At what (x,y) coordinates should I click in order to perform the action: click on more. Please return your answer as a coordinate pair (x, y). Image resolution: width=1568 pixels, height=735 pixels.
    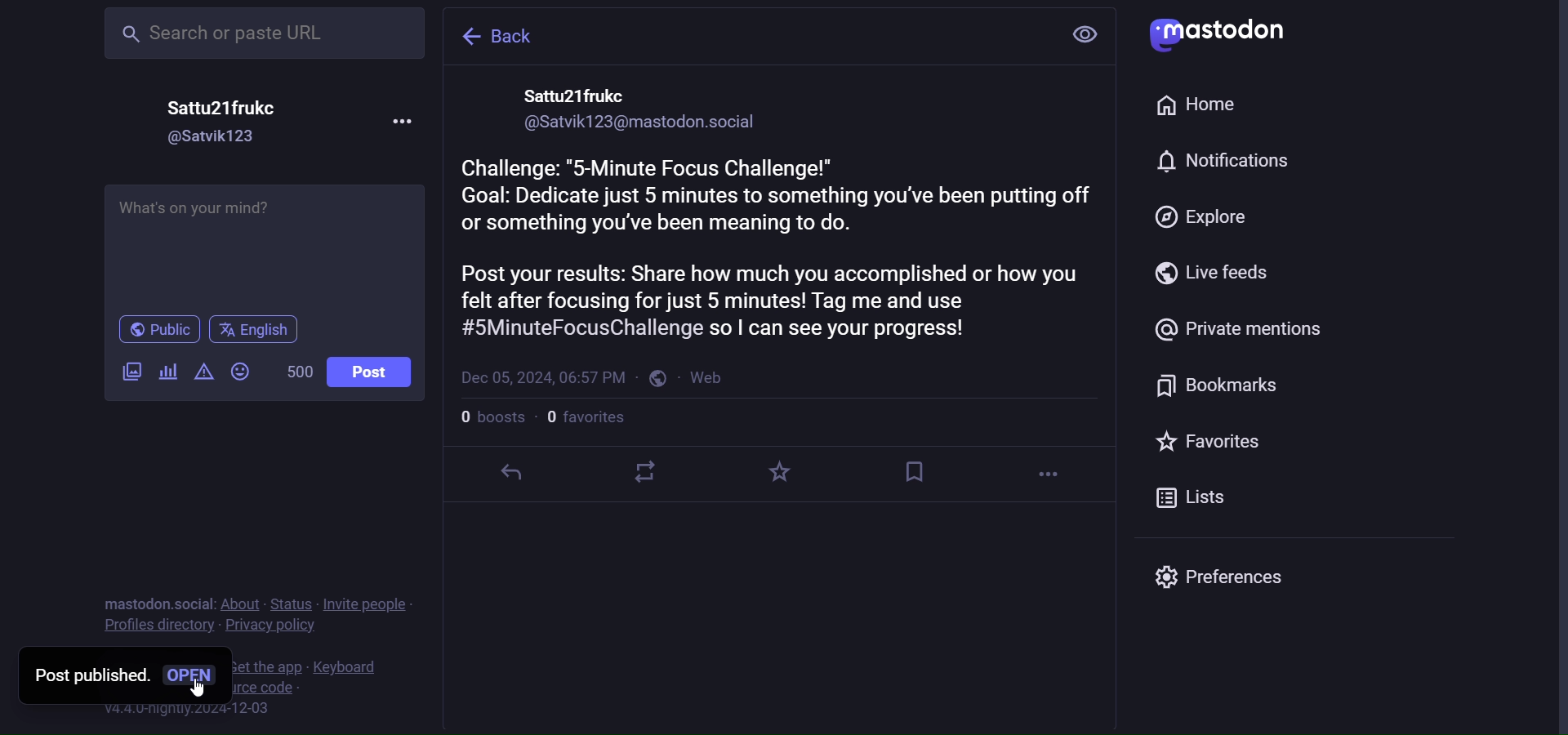
    Looking at the image, I should click on (1053, 474).